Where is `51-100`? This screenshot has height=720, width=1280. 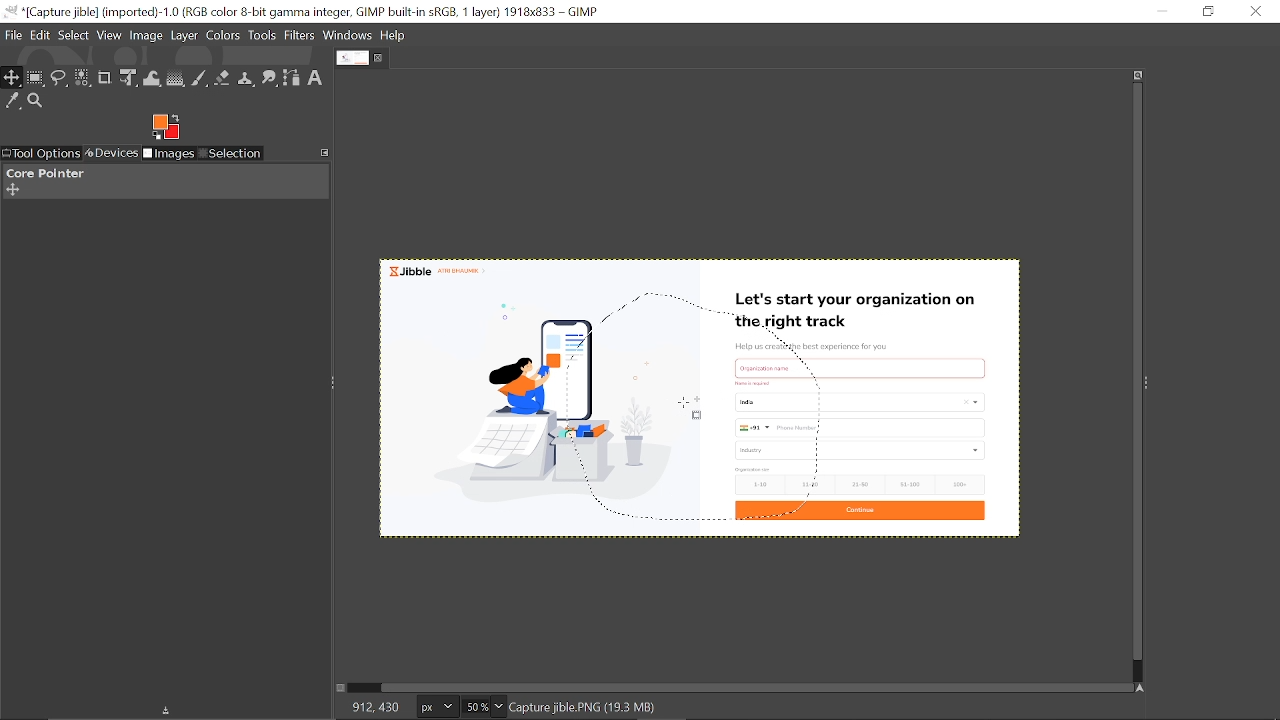 51-100 is located at coordinates (909, 485).